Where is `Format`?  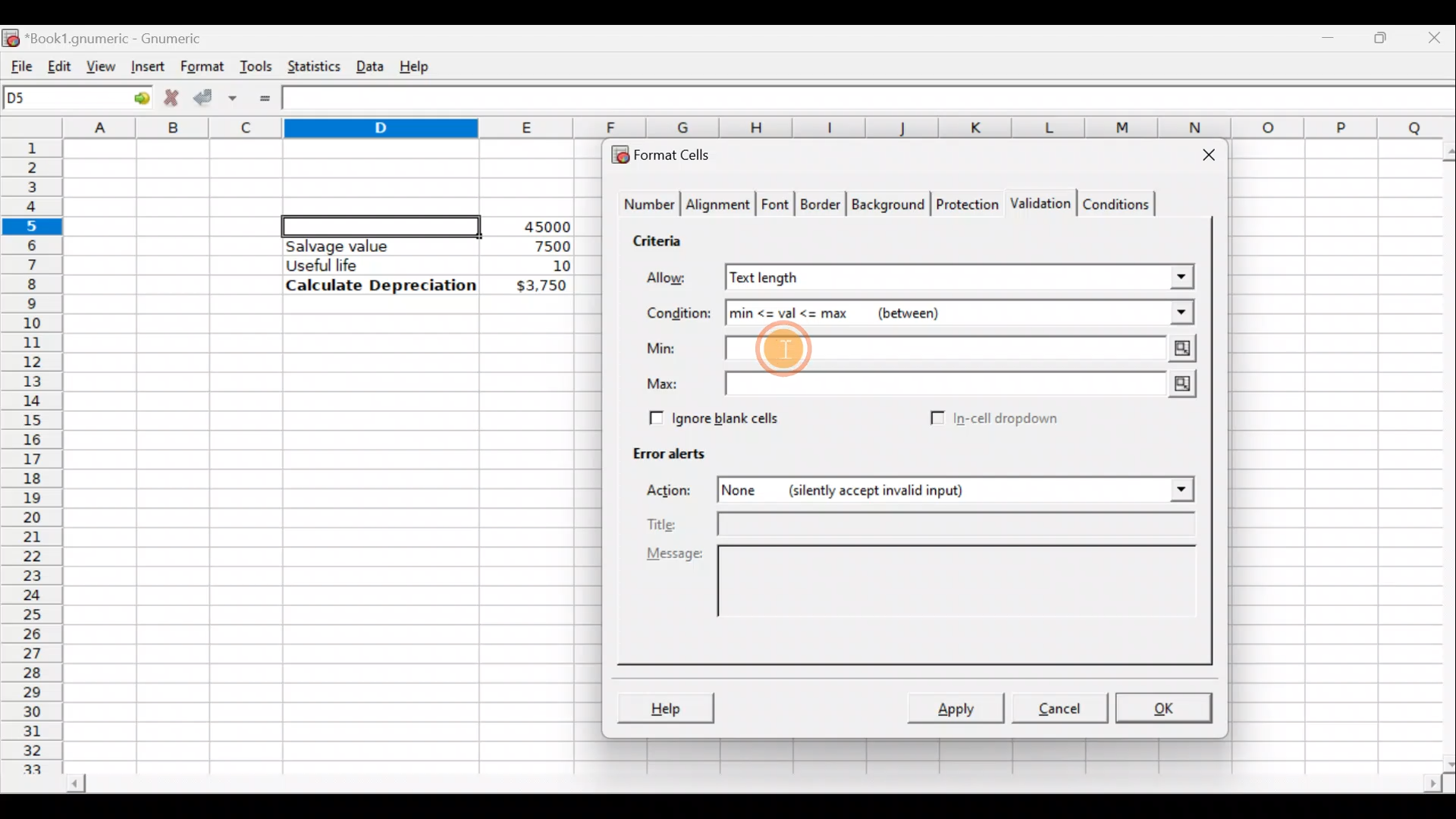
Format is located at coordinates (201, 67).